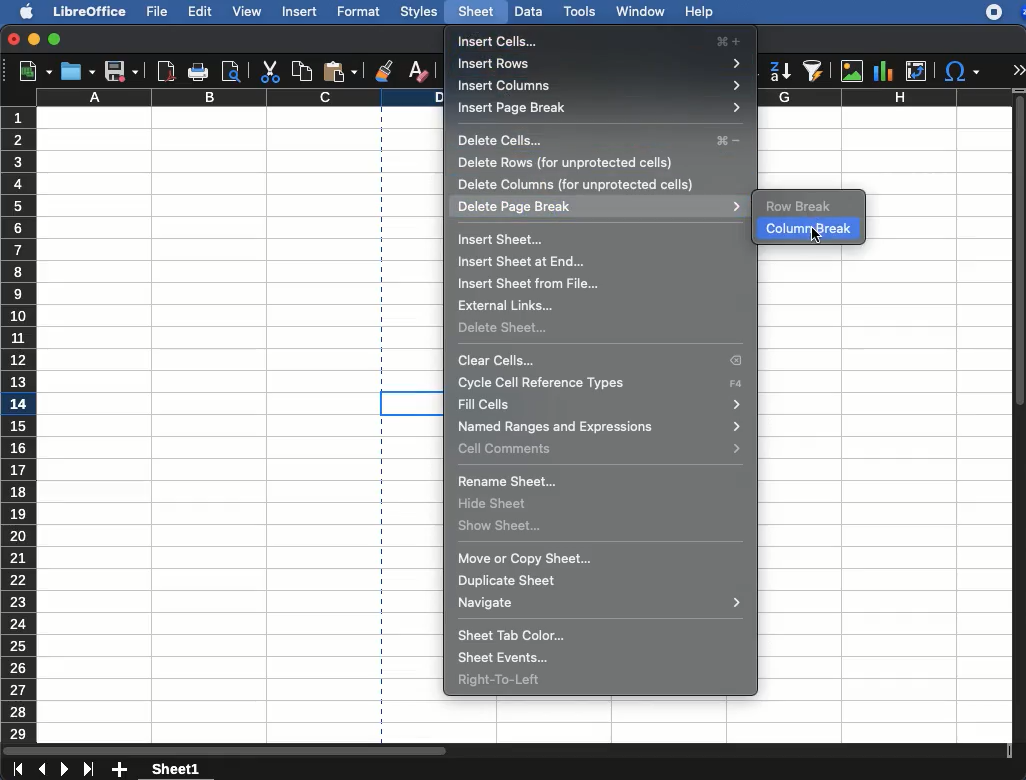 The image size is (1026, 780). Describe the element at coordinates (814, 71) in the screenshot. I see `autofilter` at that location.